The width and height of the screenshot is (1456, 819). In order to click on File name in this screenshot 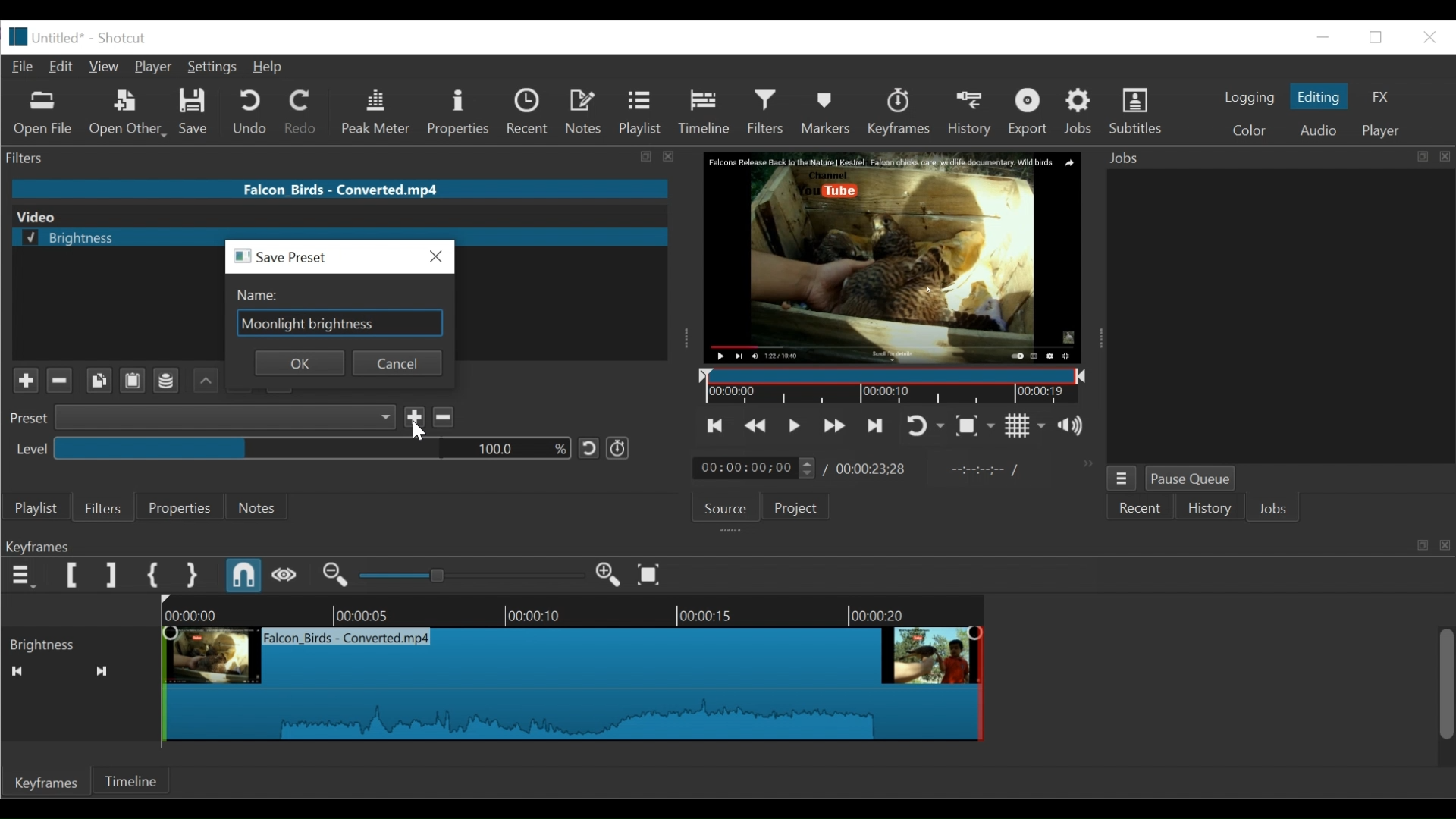, I will do `click(340, 189)`.